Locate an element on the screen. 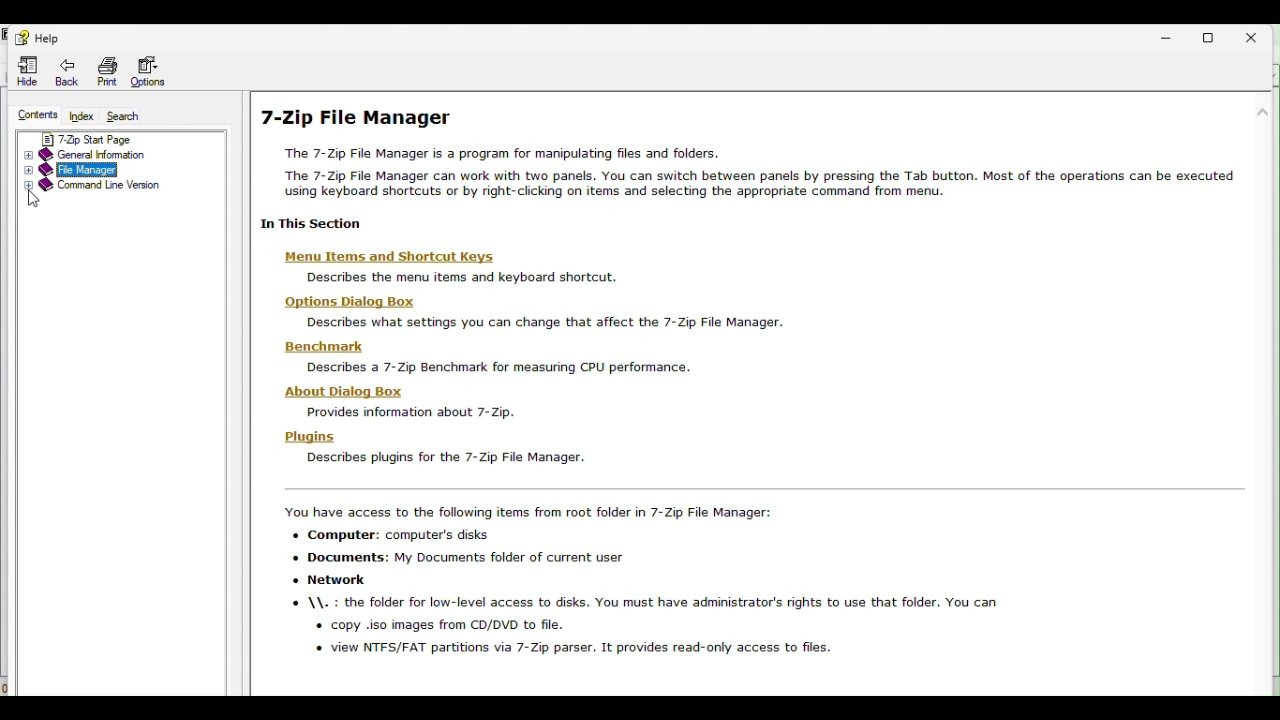  Hide is located at coordinates (29, 70).